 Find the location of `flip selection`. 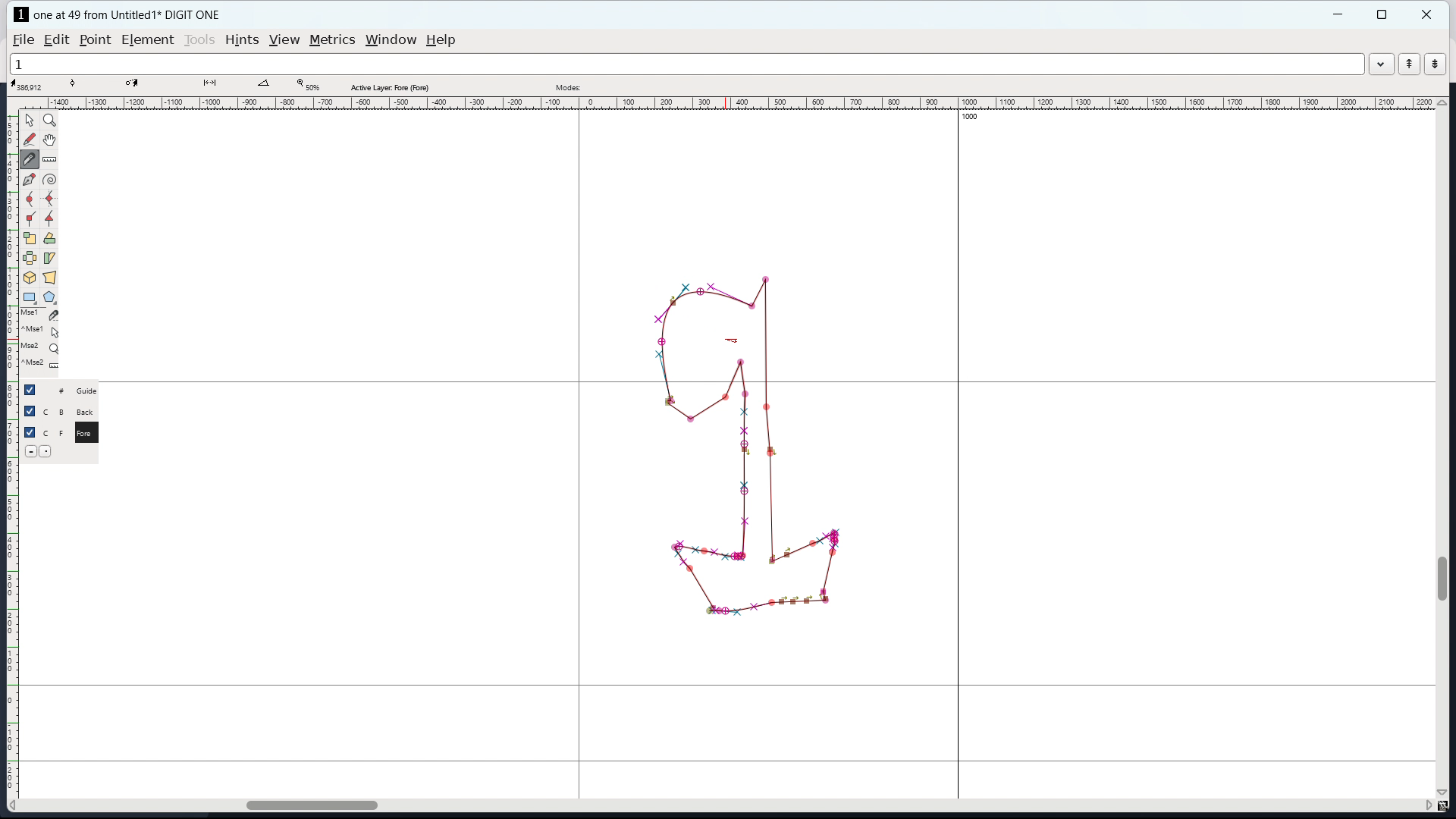

flip selection is located at coordinates (29, 258).